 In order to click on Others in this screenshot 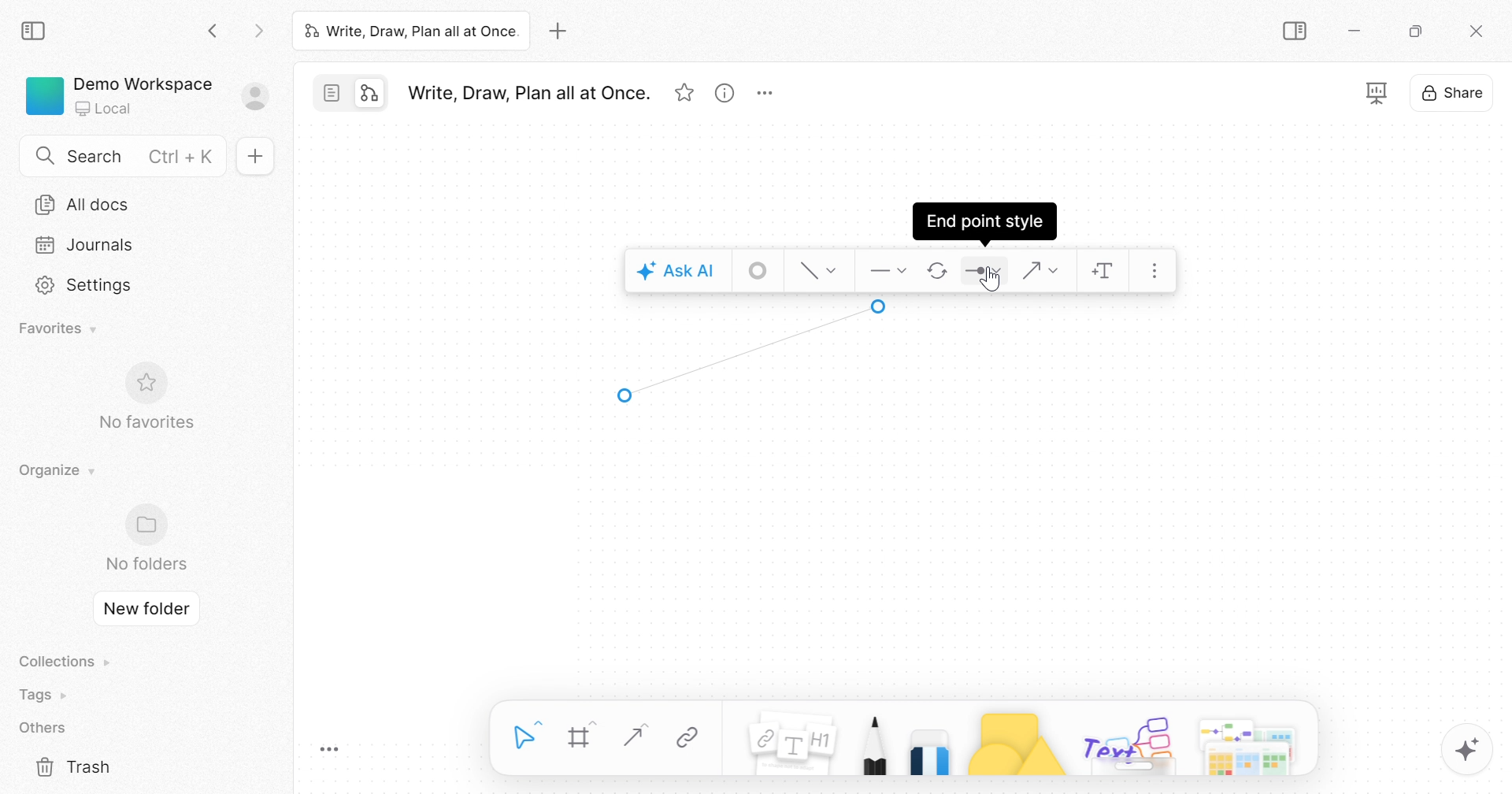, I will do `click(1129, 743)`.